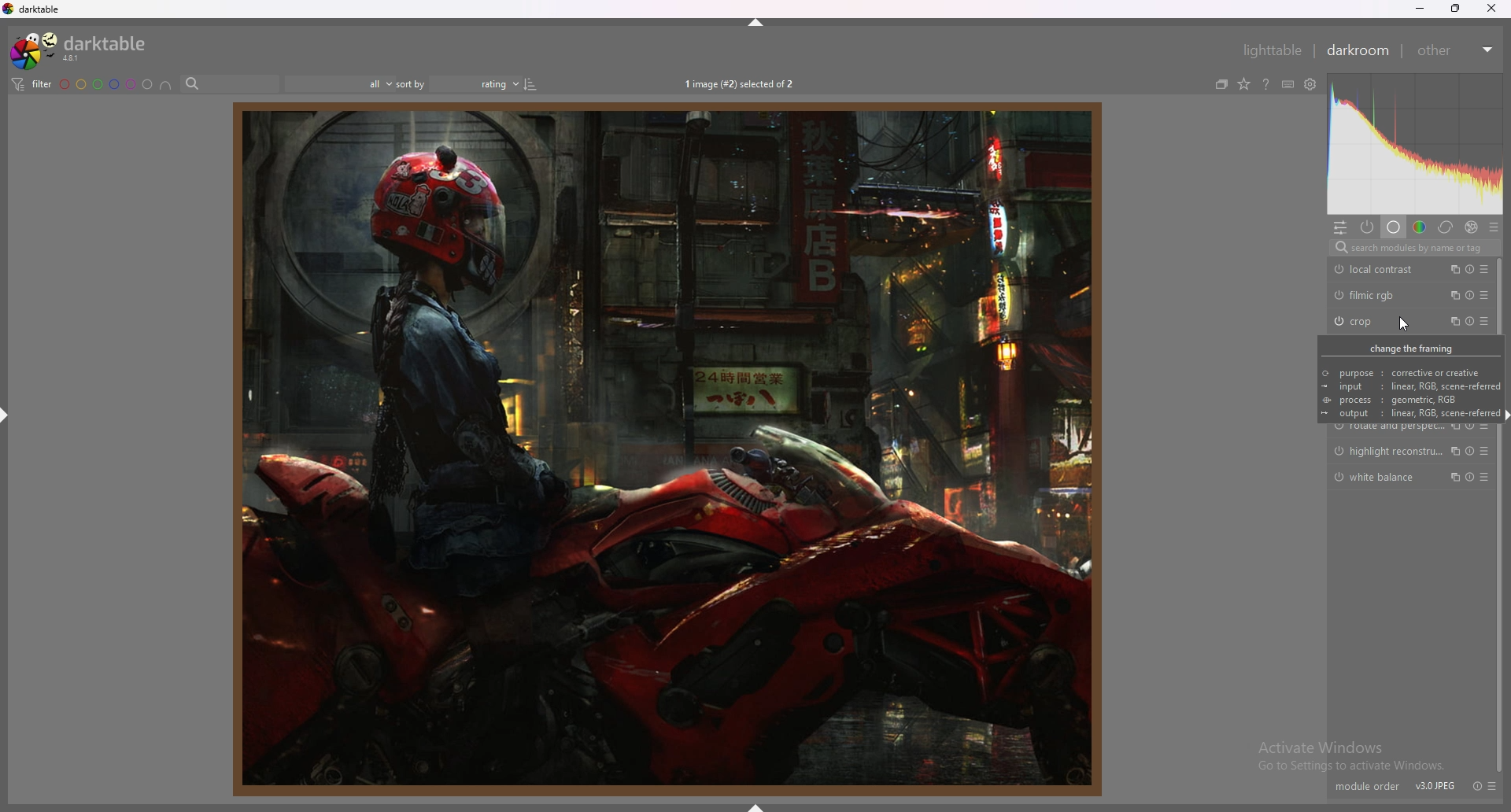 The height and width of the screenshot is (812, 1511). What do you see at coordinates (1288, 84) in the screenshot?
I see `shortcuts` at bounding box center [1288, 84].